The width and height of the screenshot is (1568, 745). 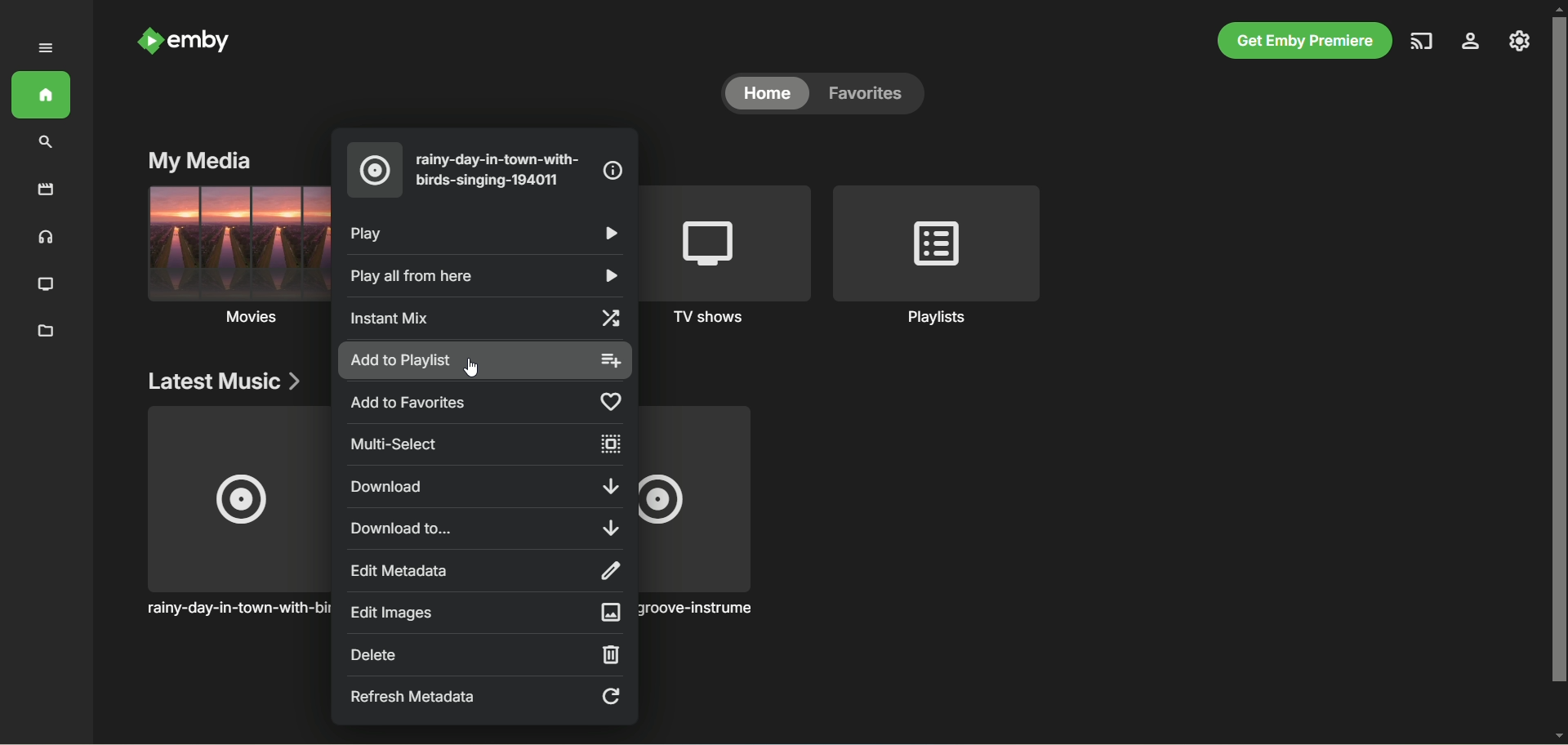 What do you see at coordinates (233, 511) in the screenshot?
I see `Music album` at bounding box center [233, 511].